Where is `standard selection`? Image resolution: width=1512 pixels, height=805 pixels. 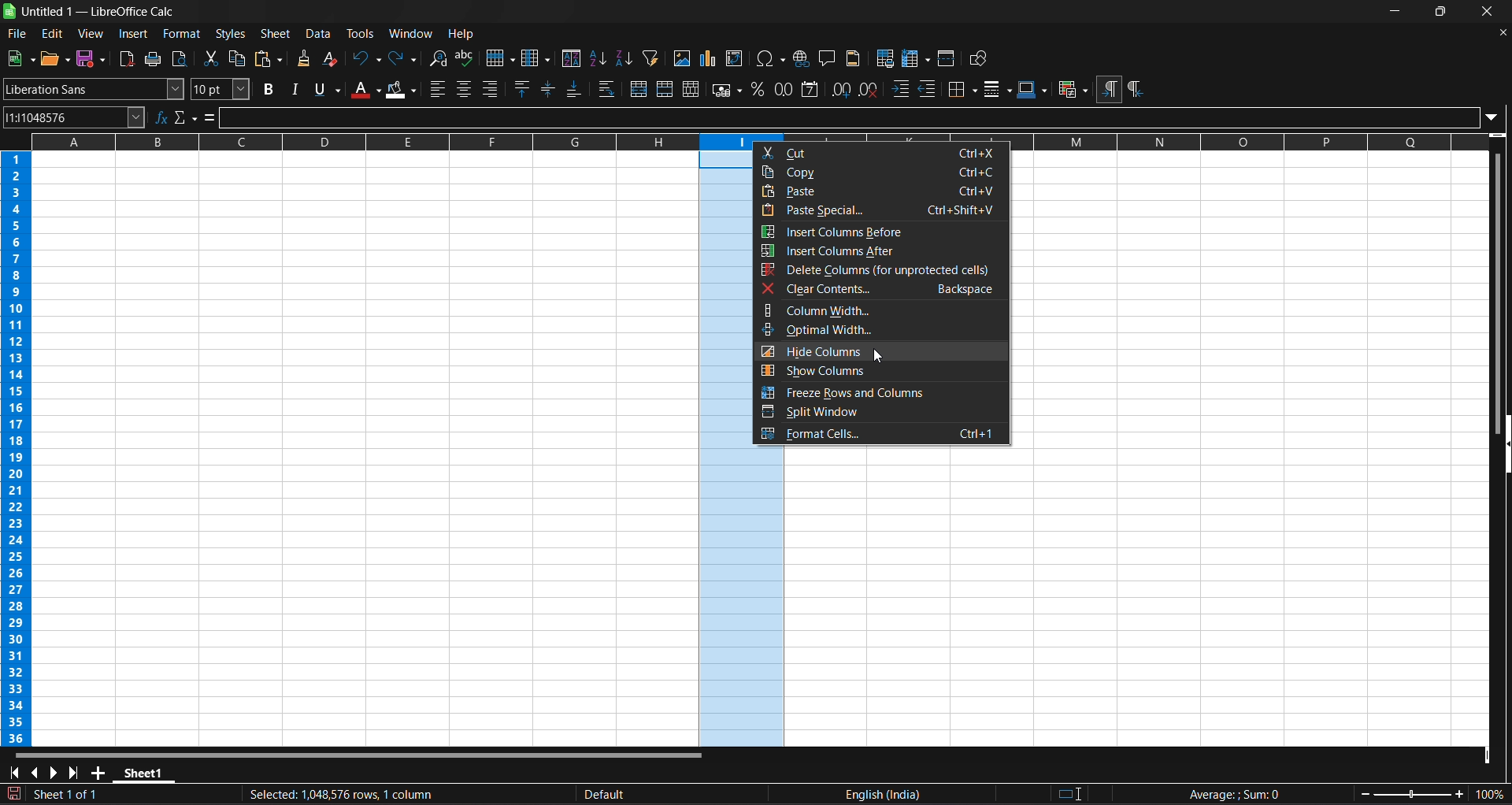 standard selection is located at coordinates (1077, 793).